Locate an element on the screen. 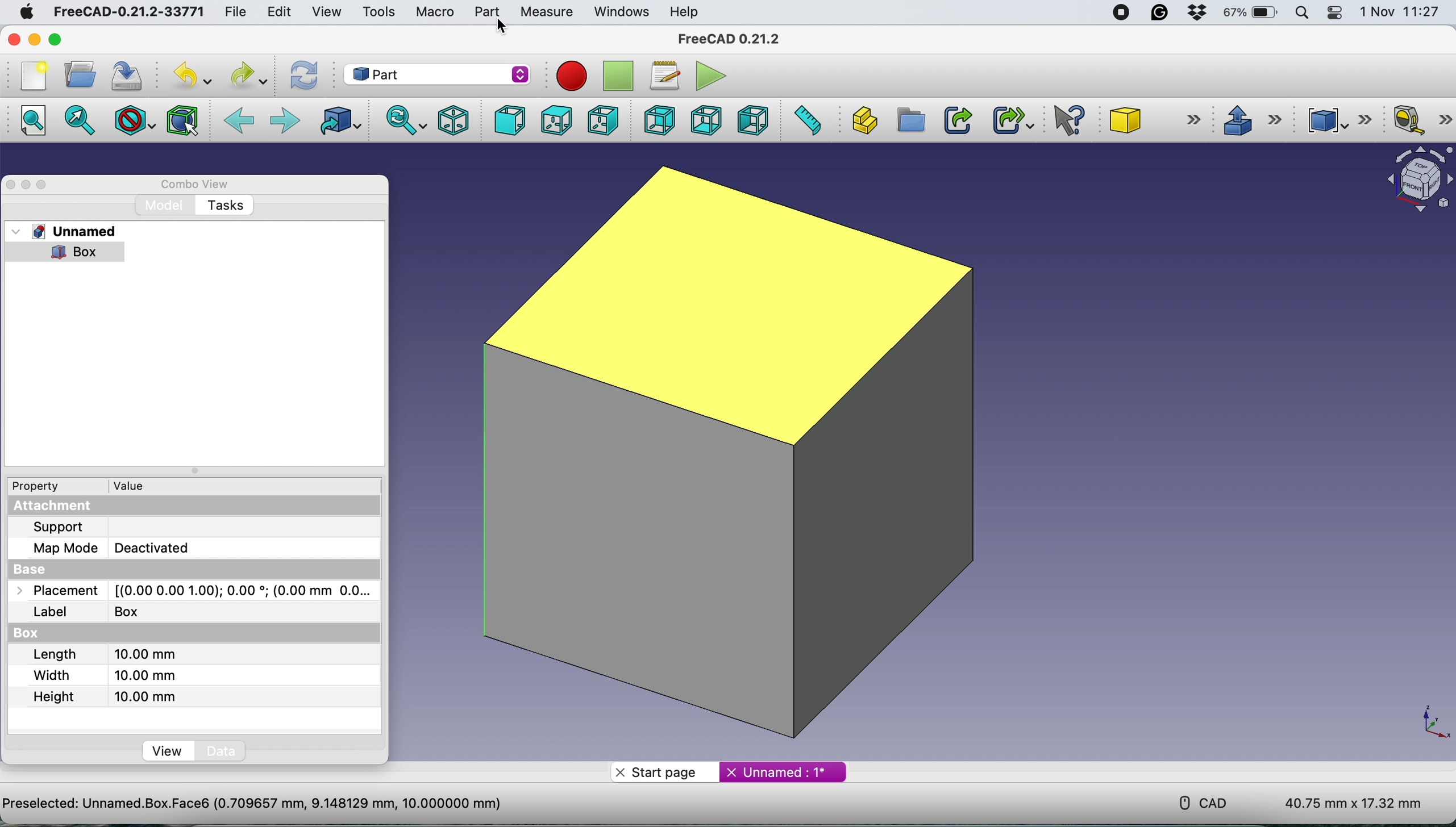 The image size is (1456, 827). sync view is located at coordinates (401, 122).